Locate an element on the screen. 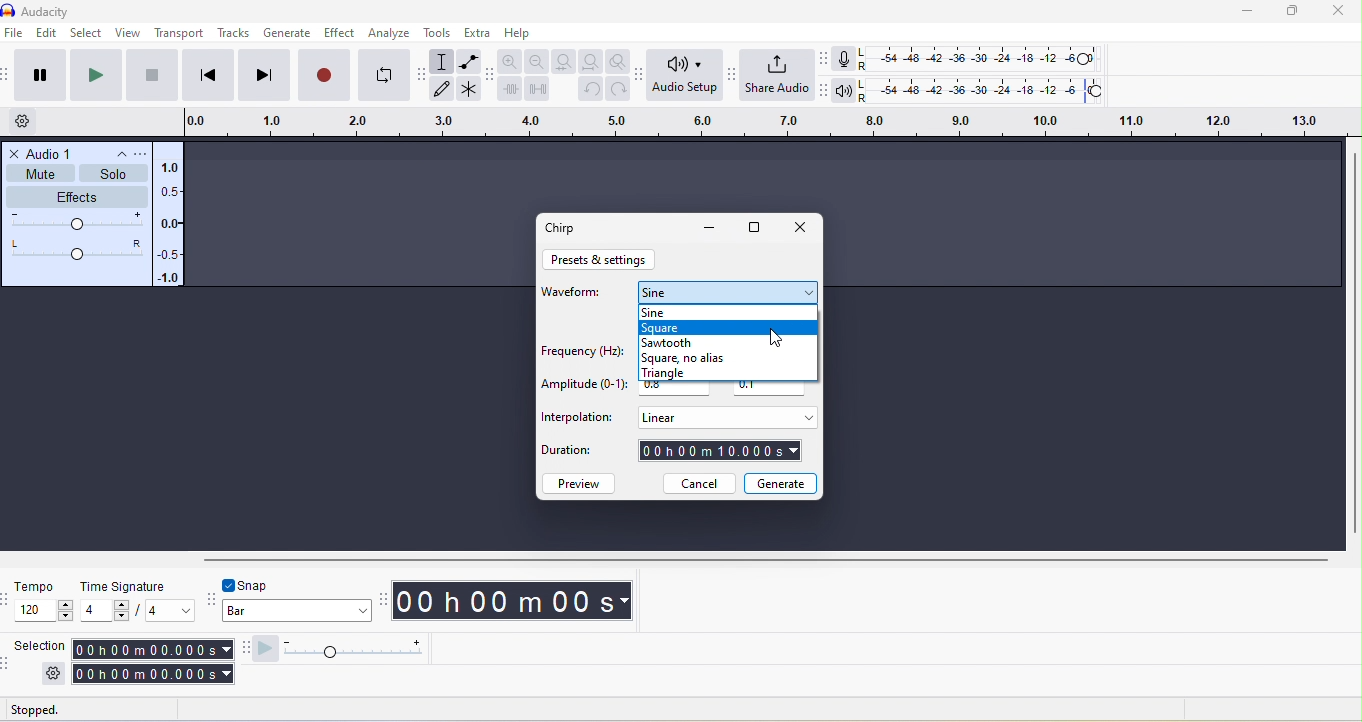 The height and width of the screenshot is (722, 1362). trim audio outside selection is located at coordinates (510, 88).